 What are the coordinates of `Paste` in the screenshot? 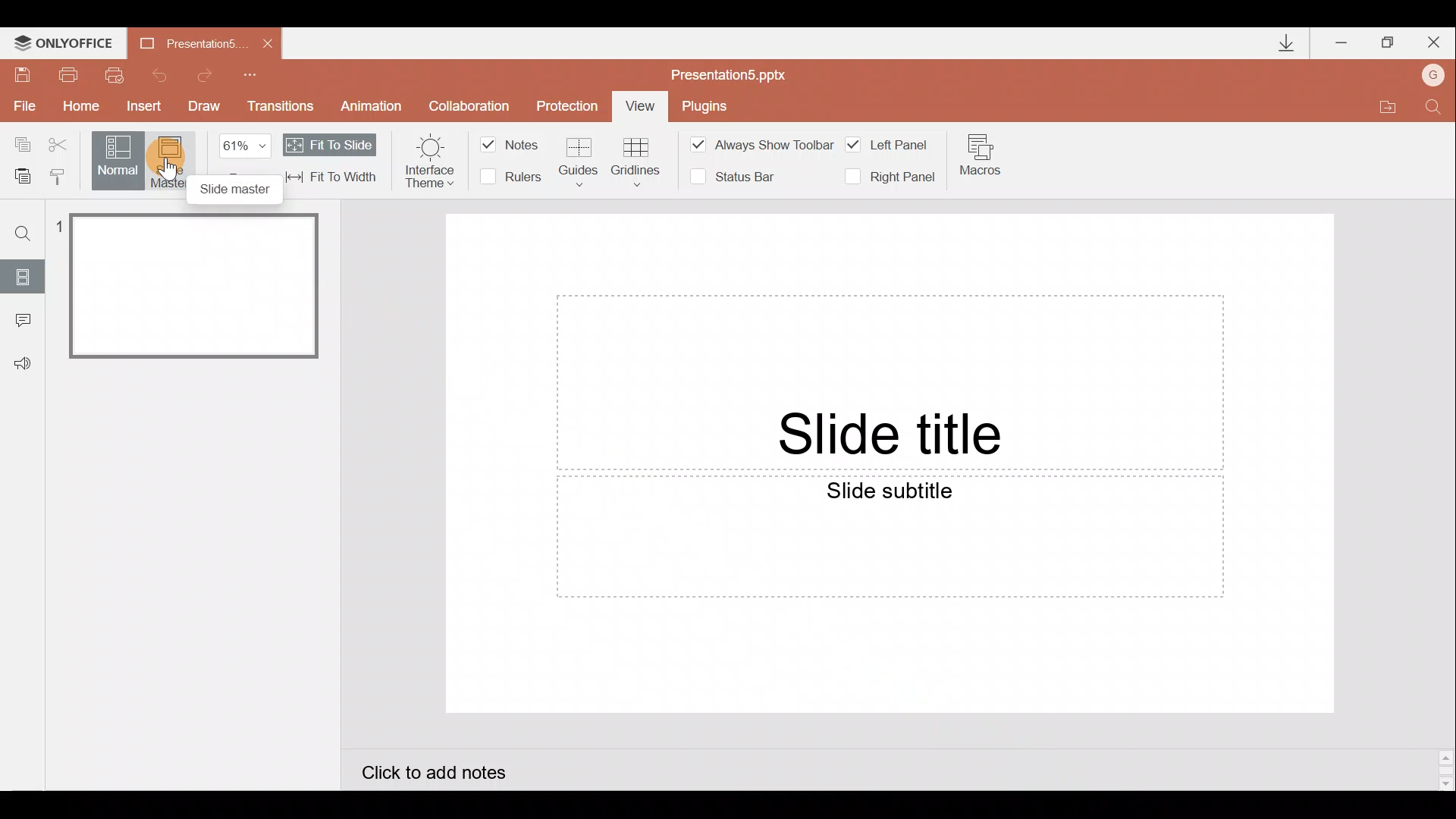 It's located at (22, 178).